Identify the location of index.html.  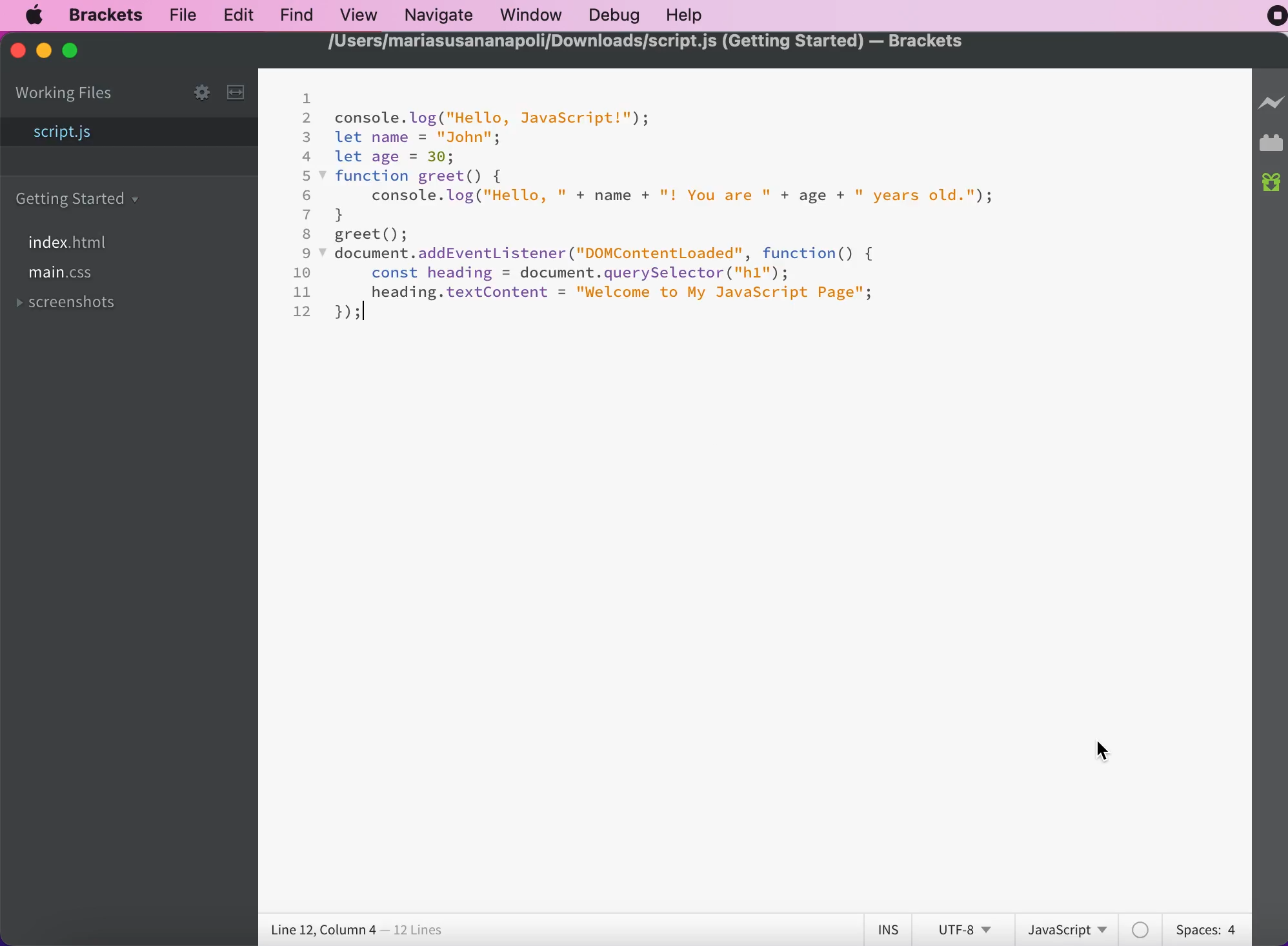
(74, 243).